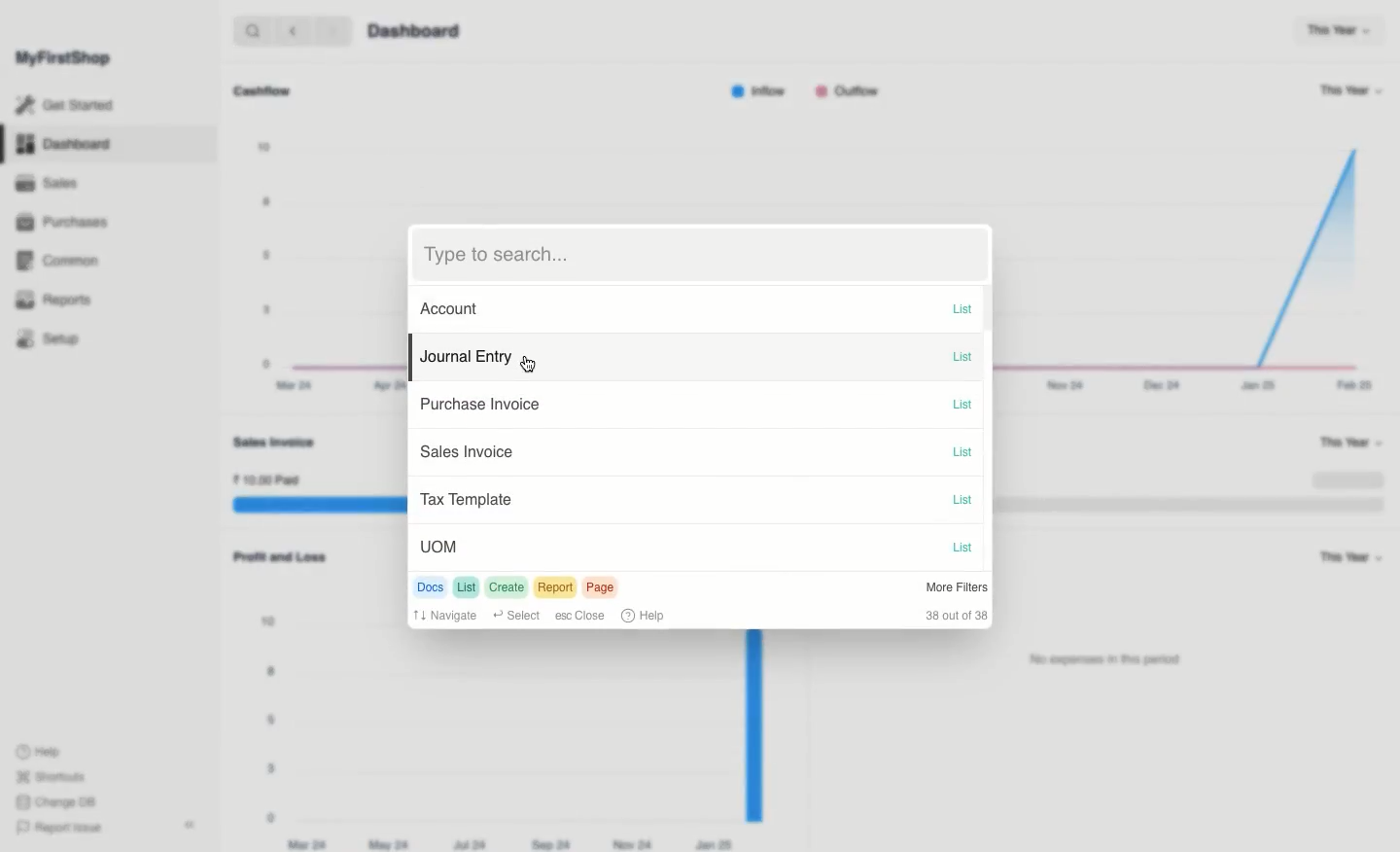 The image size is (1400, 852). I want to click on Purchase Invoice, so click(479, 405).